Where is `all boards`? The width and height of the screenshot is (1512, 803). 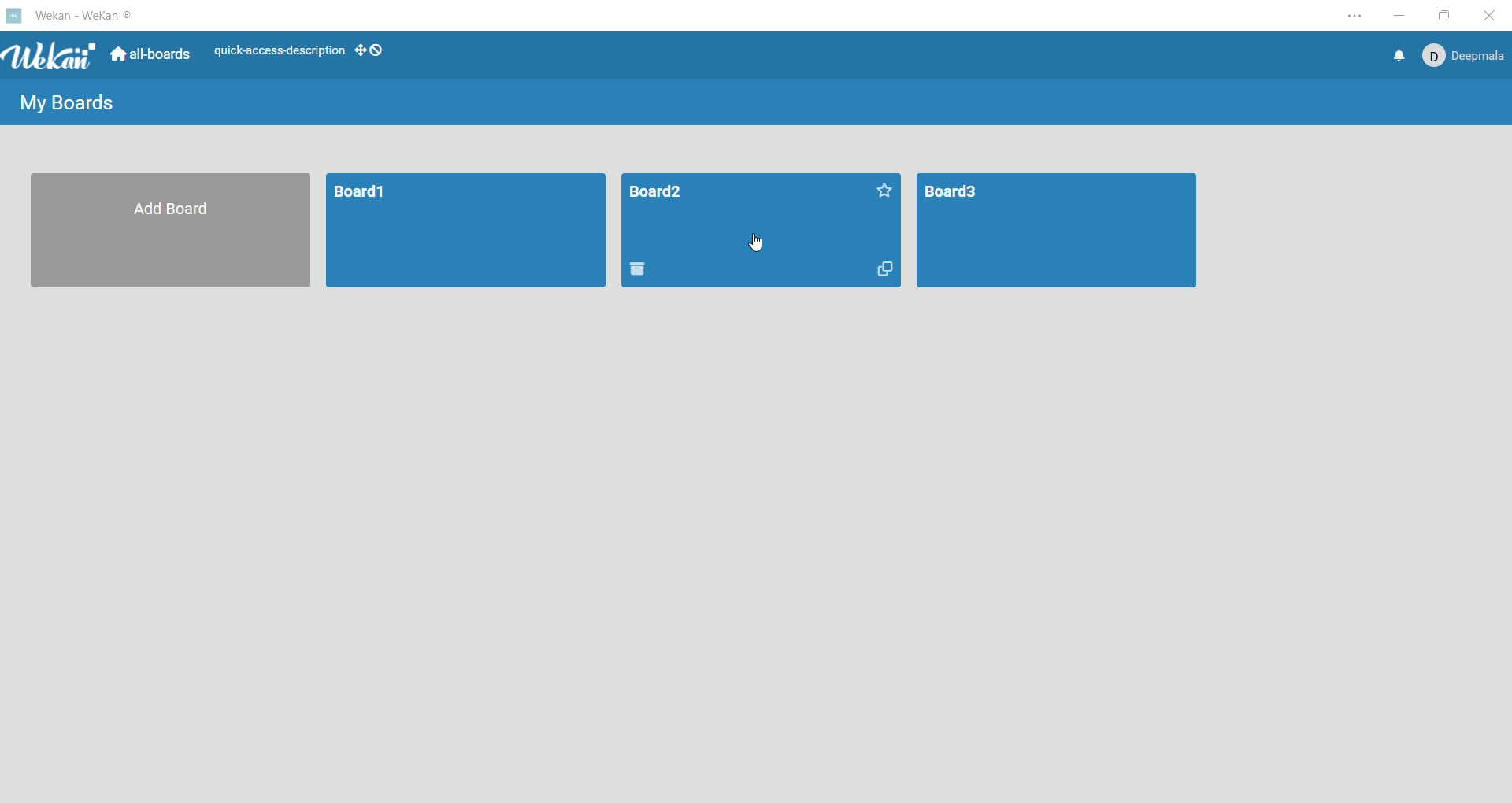
all boards is located at coordinates (150, 53).